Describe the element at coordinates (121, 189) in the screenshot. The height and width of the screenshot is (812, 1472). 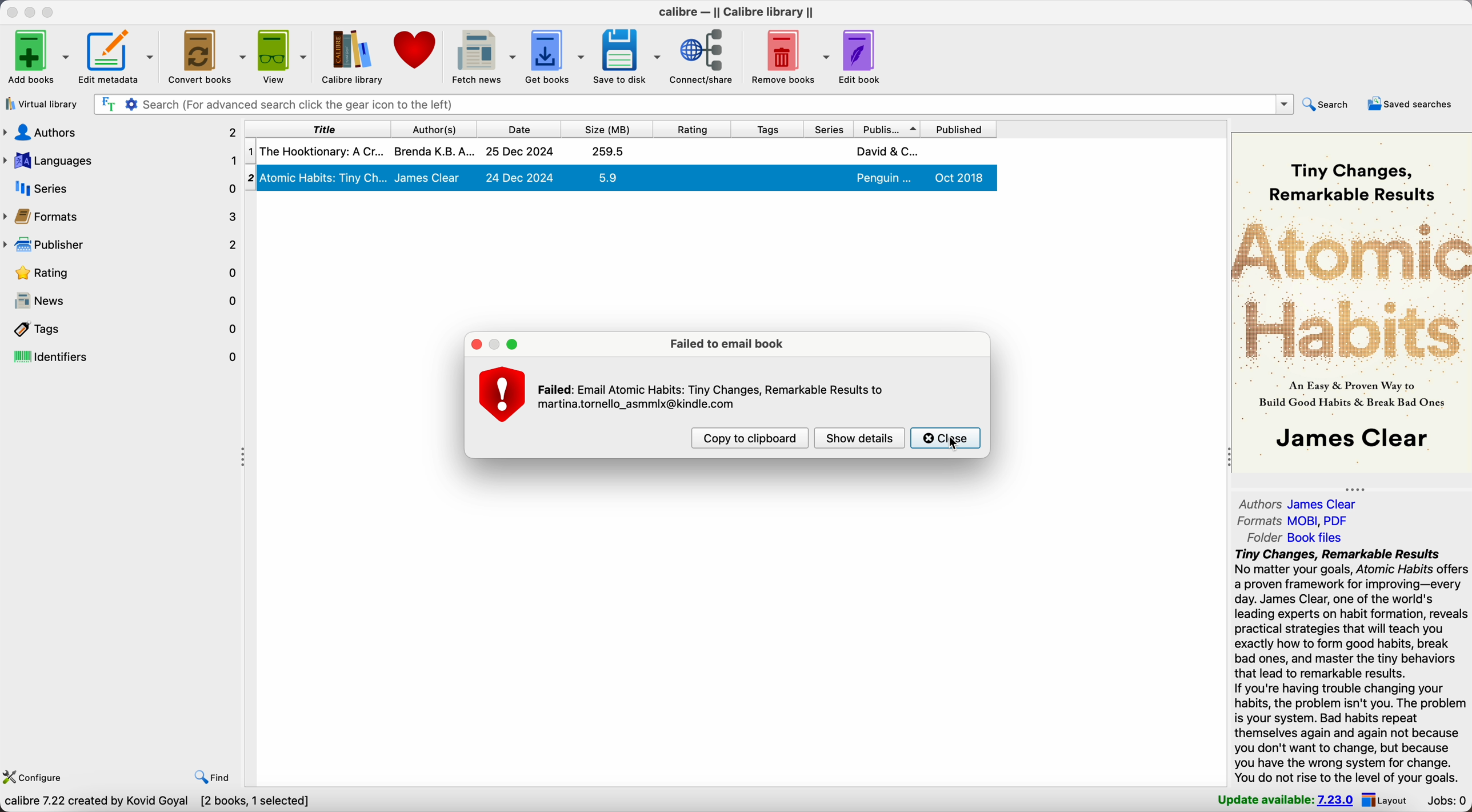
I see `series` at that location.